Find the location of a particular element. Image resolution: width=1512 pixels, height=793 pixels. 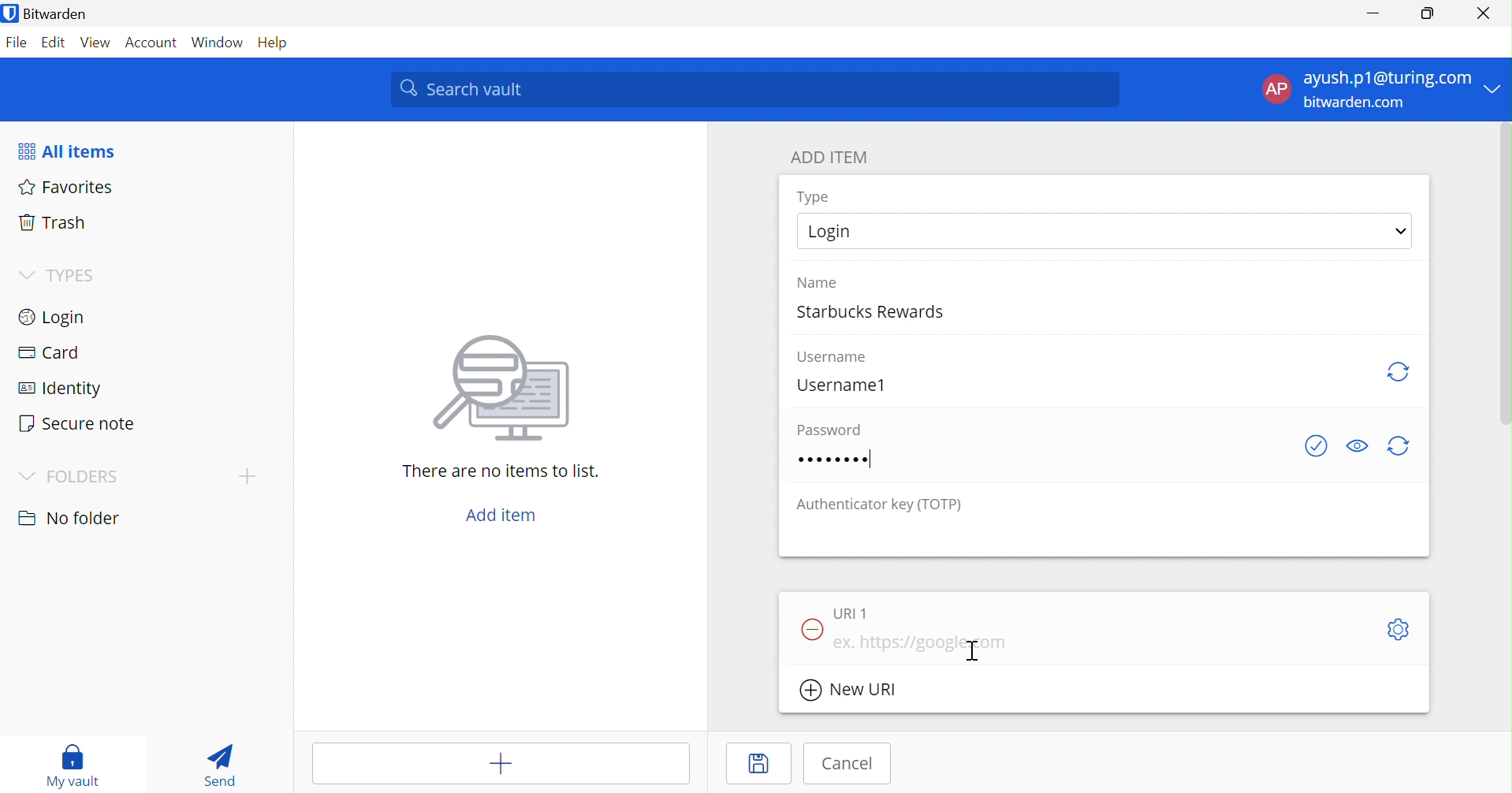

Login is located at coordinates (50, 319).